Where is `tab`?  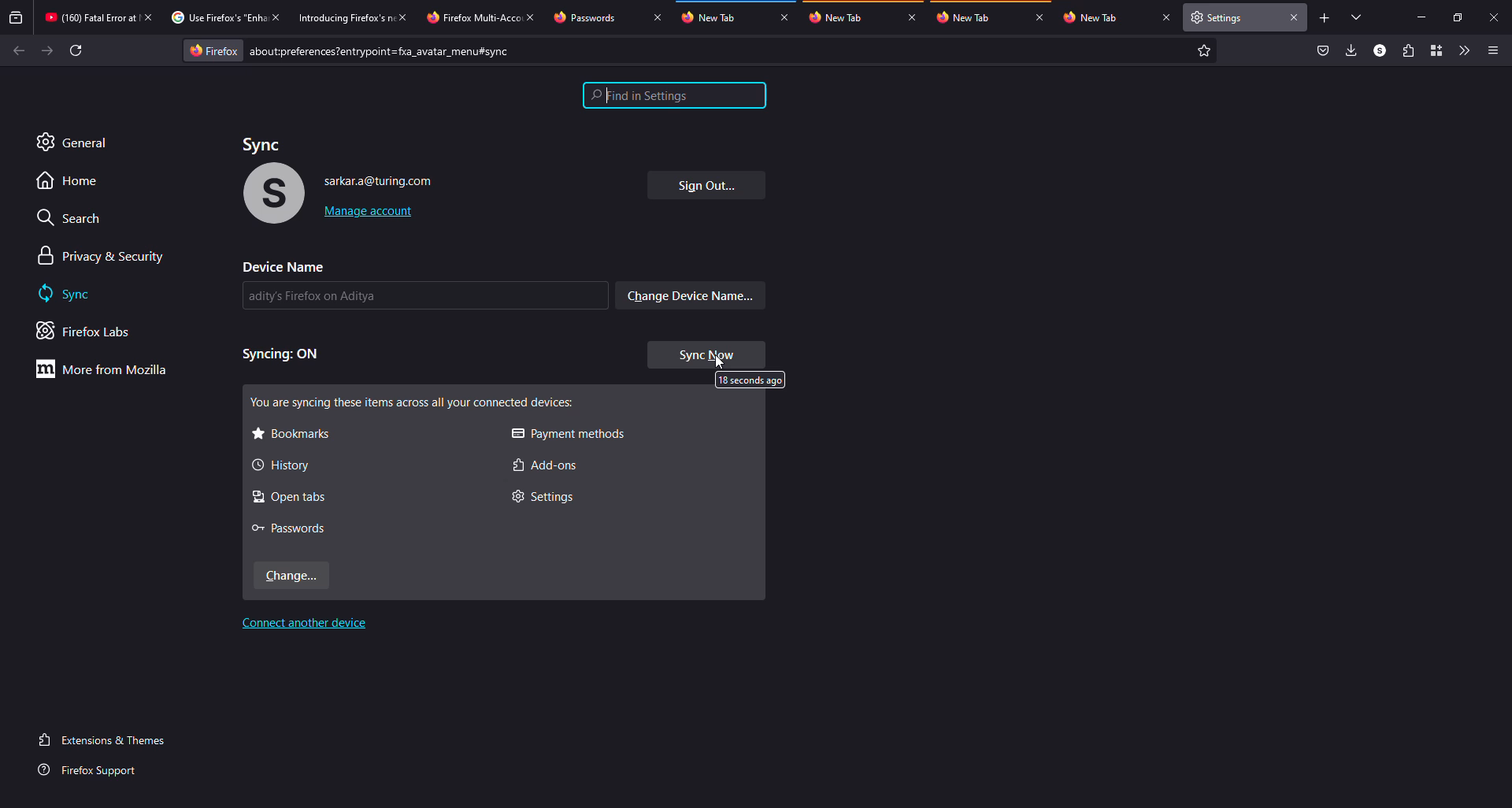 tab is located at coordinates (850, 17).